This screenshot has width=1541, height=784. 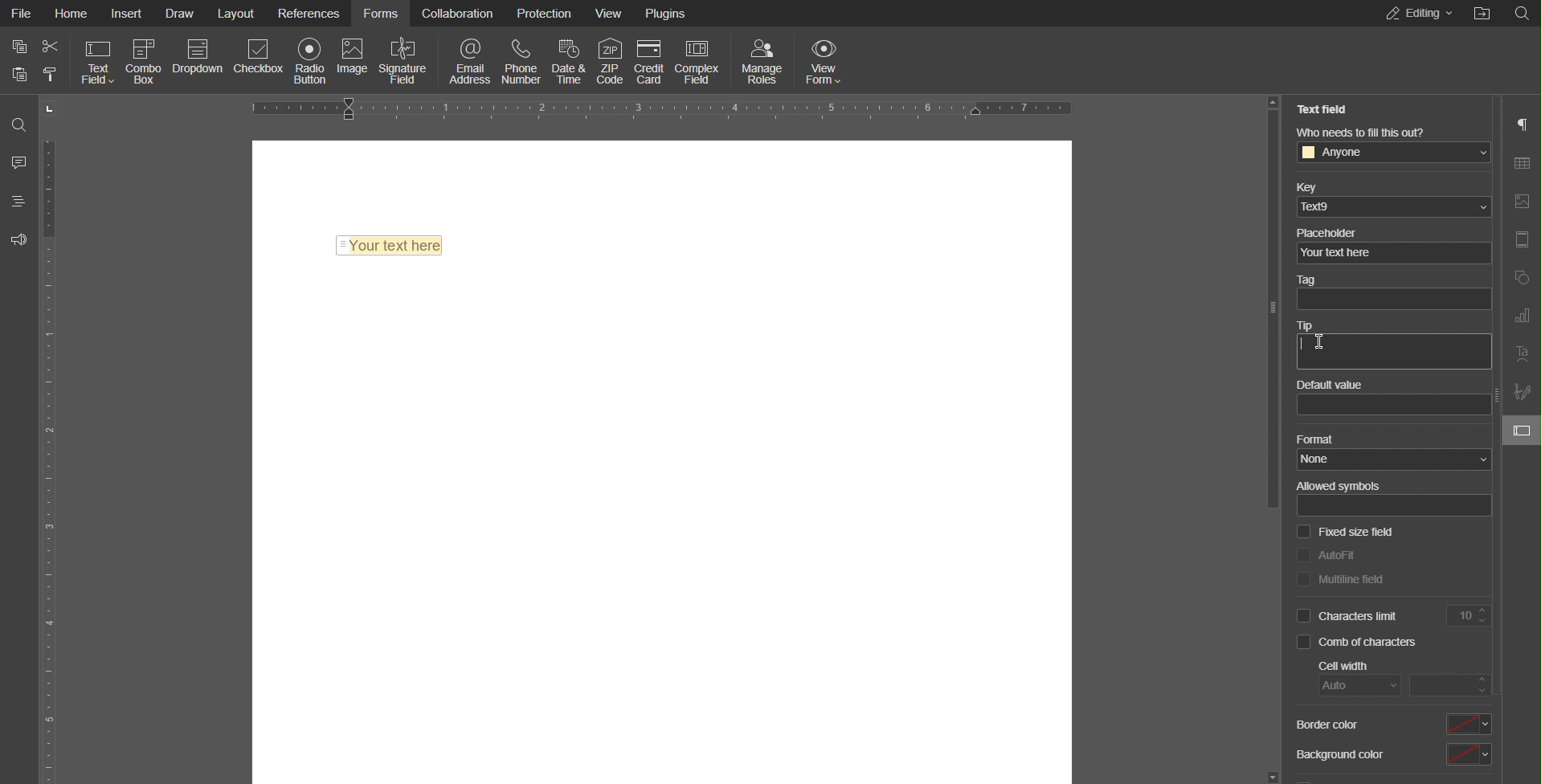 What do you see at coordinates (458, 11) in the screenshot?
I see `Collaboration` at bounding box center [458, 11].